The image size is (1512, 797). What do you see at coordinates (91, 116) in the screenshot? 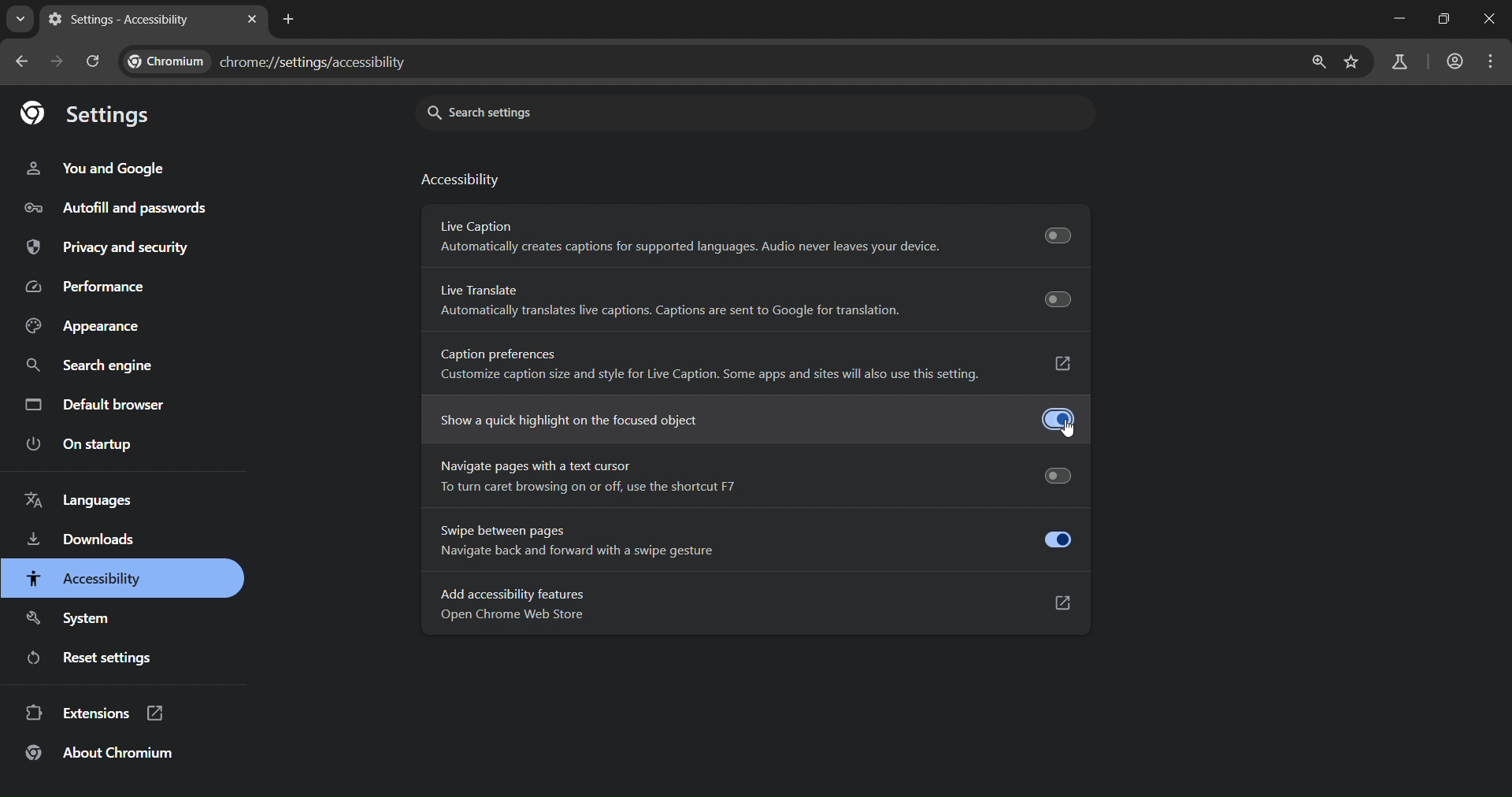
I see `settings` at bounding box center [91, 116].